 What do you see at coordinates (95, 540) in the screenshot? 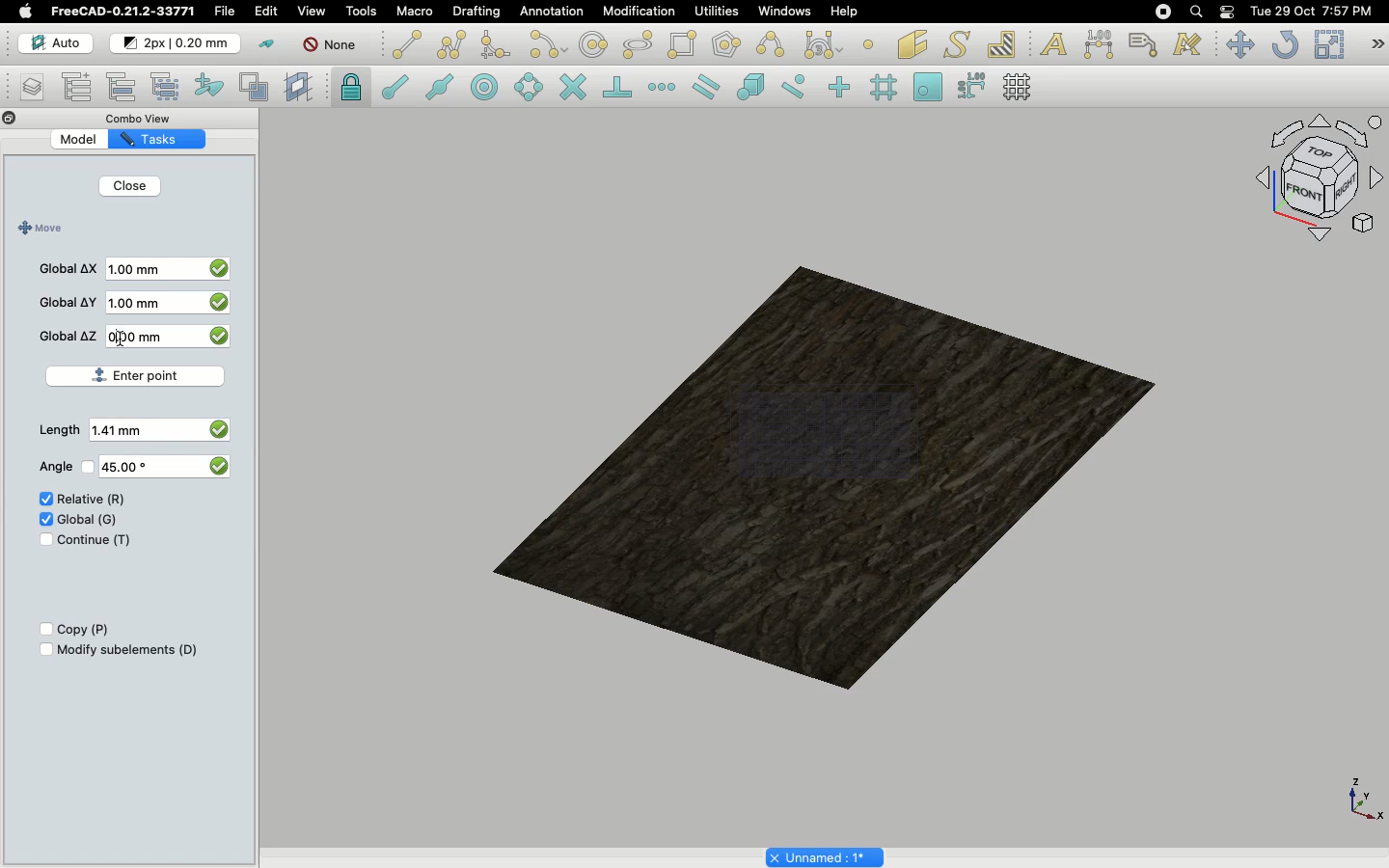
I see `Continue ` at bounding box center [95, 540].